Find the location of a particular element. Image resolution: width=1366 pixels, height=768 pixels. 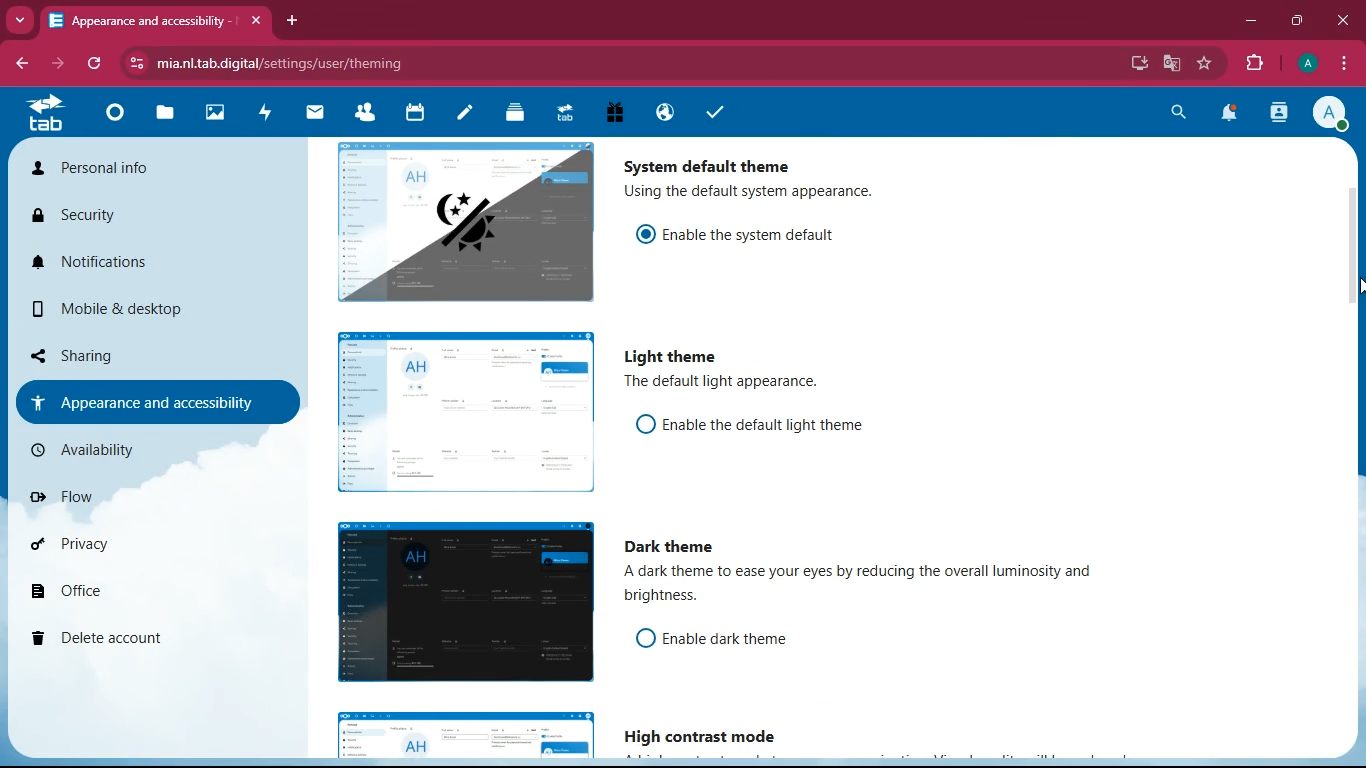

profile is located at coordinates (1309, 63).